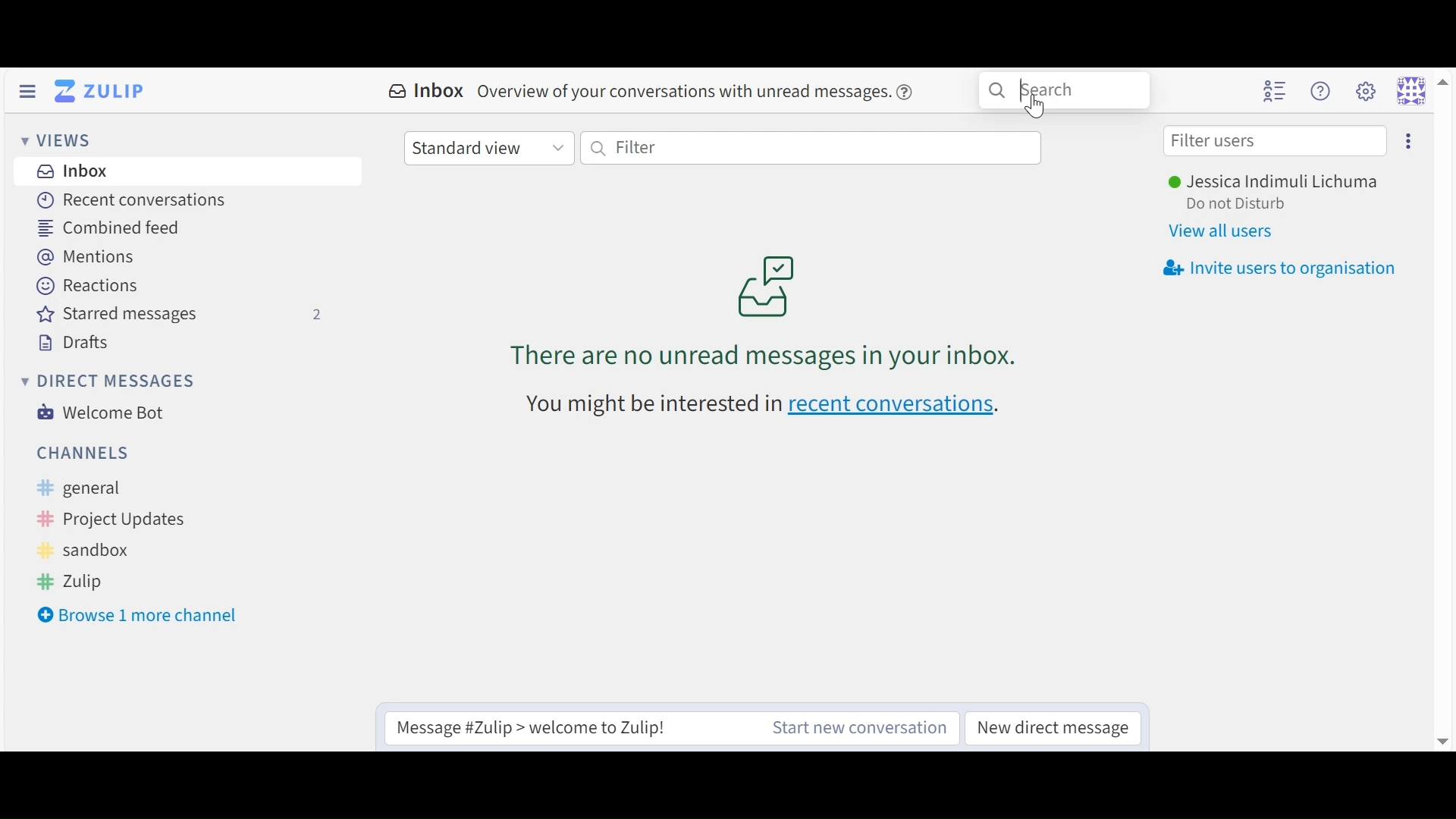  What do you see at coordinates (96, 550) in the screenshot?
I see `sandbox` at bounding box center [96, 550].